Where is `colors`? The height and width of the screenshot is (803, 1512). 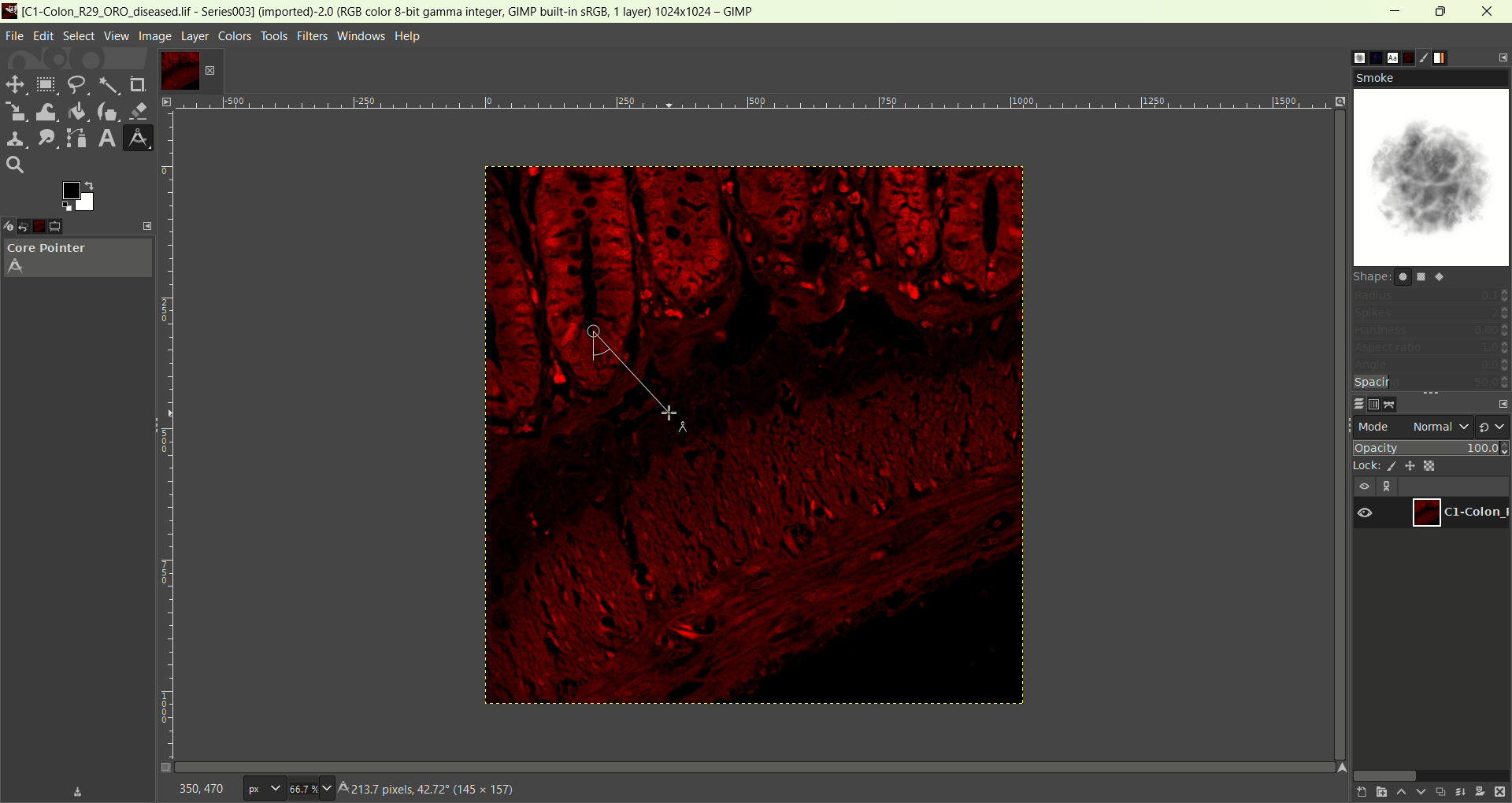 colors is located at coordinates (235, 36).